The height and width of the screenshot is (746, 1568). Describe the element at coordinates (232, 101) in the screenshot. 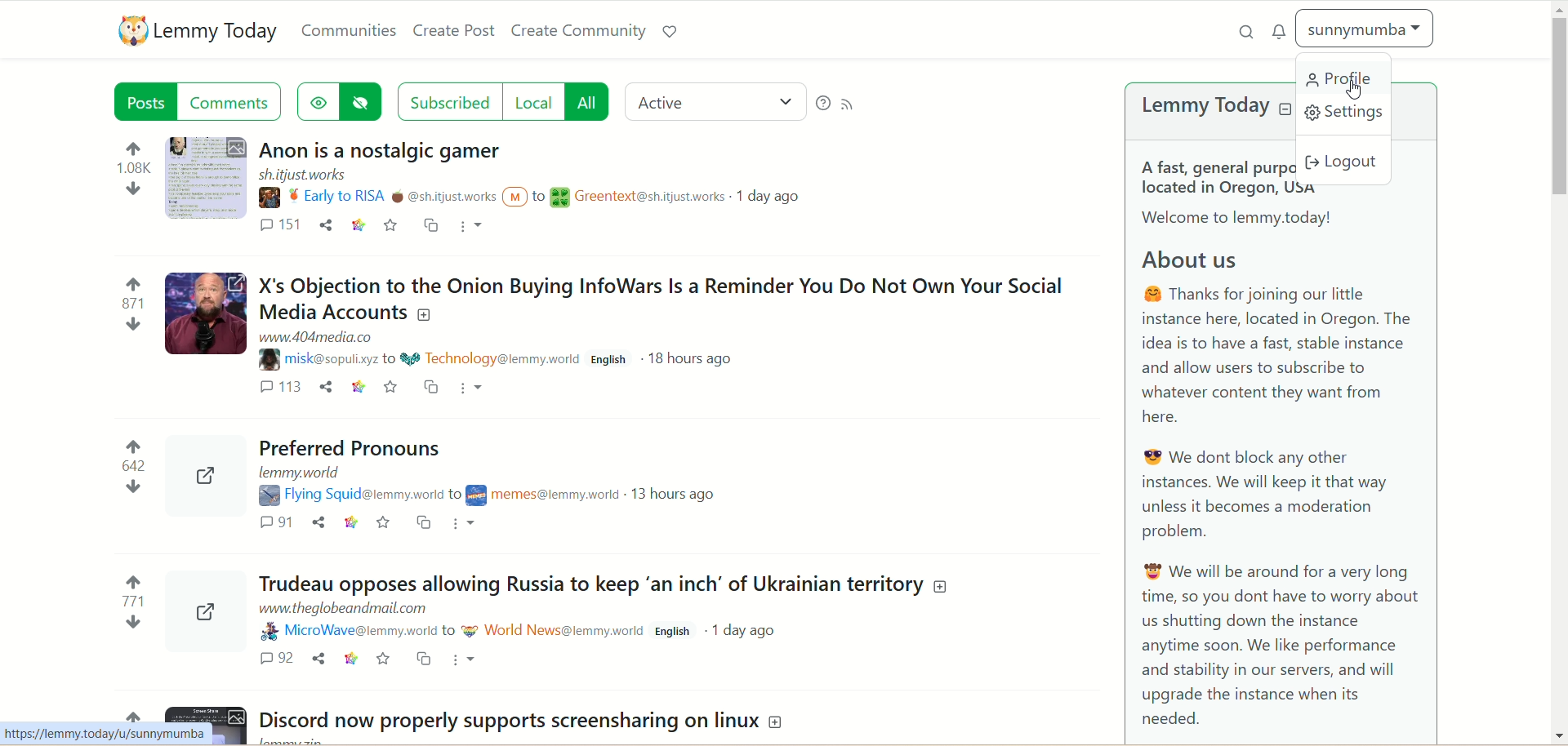

I see `comments` at that location.